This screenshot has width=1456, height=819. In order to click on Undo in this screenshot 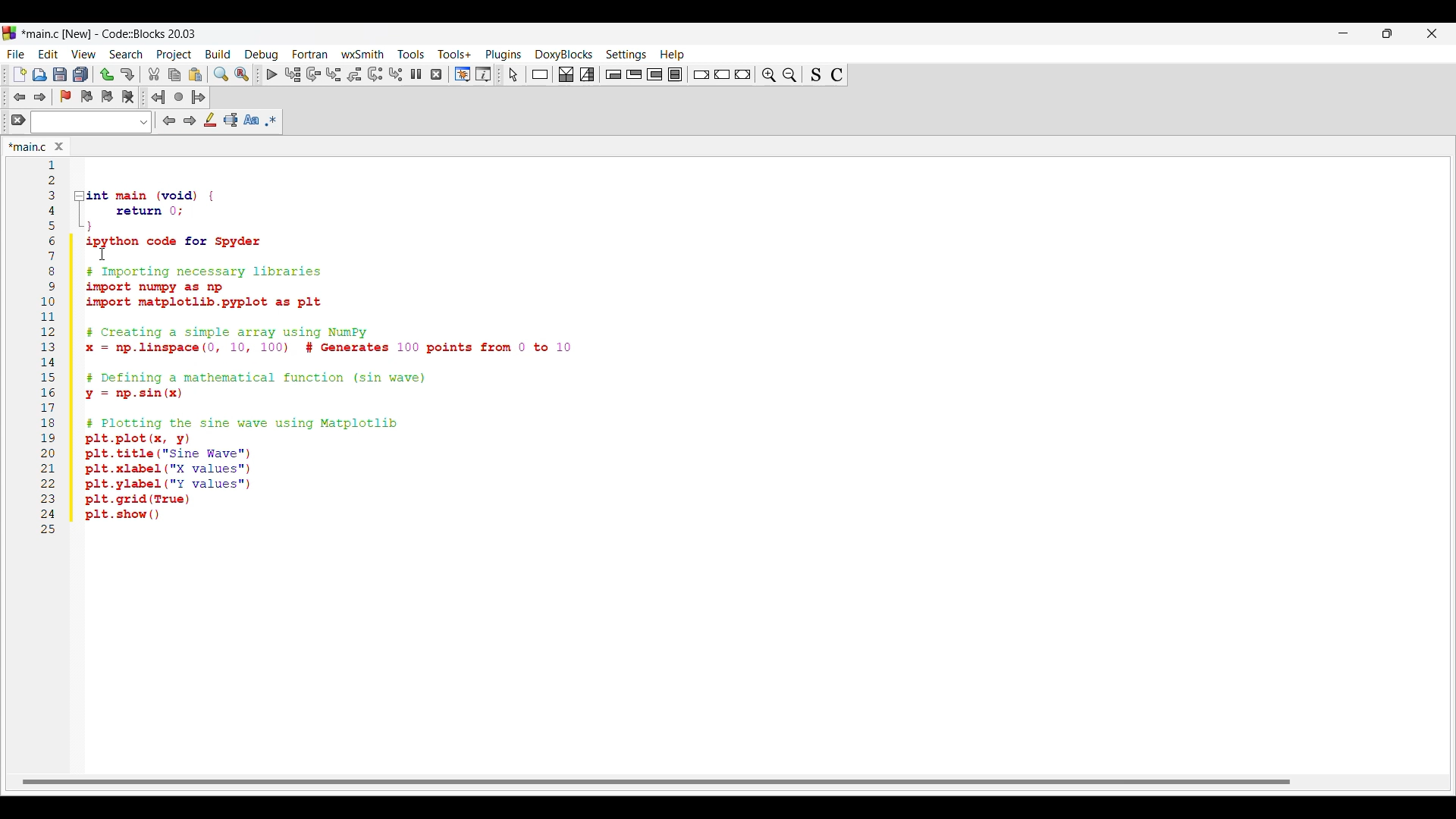, I will do `click(107, 74)`.